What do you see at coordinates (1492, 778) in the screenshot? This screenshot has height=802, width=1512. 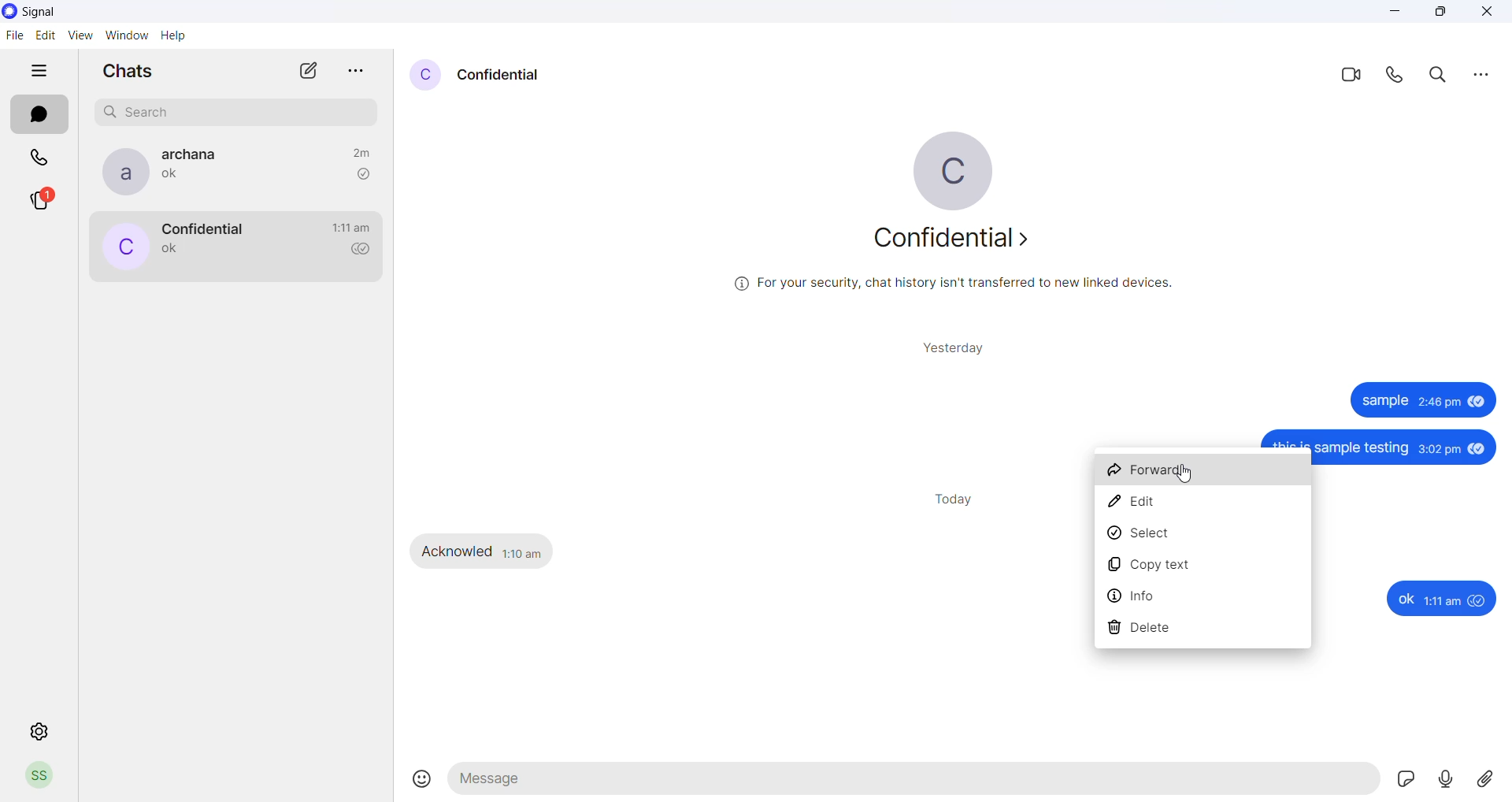 I see `share attachment` at bounding box center [1492, 778].